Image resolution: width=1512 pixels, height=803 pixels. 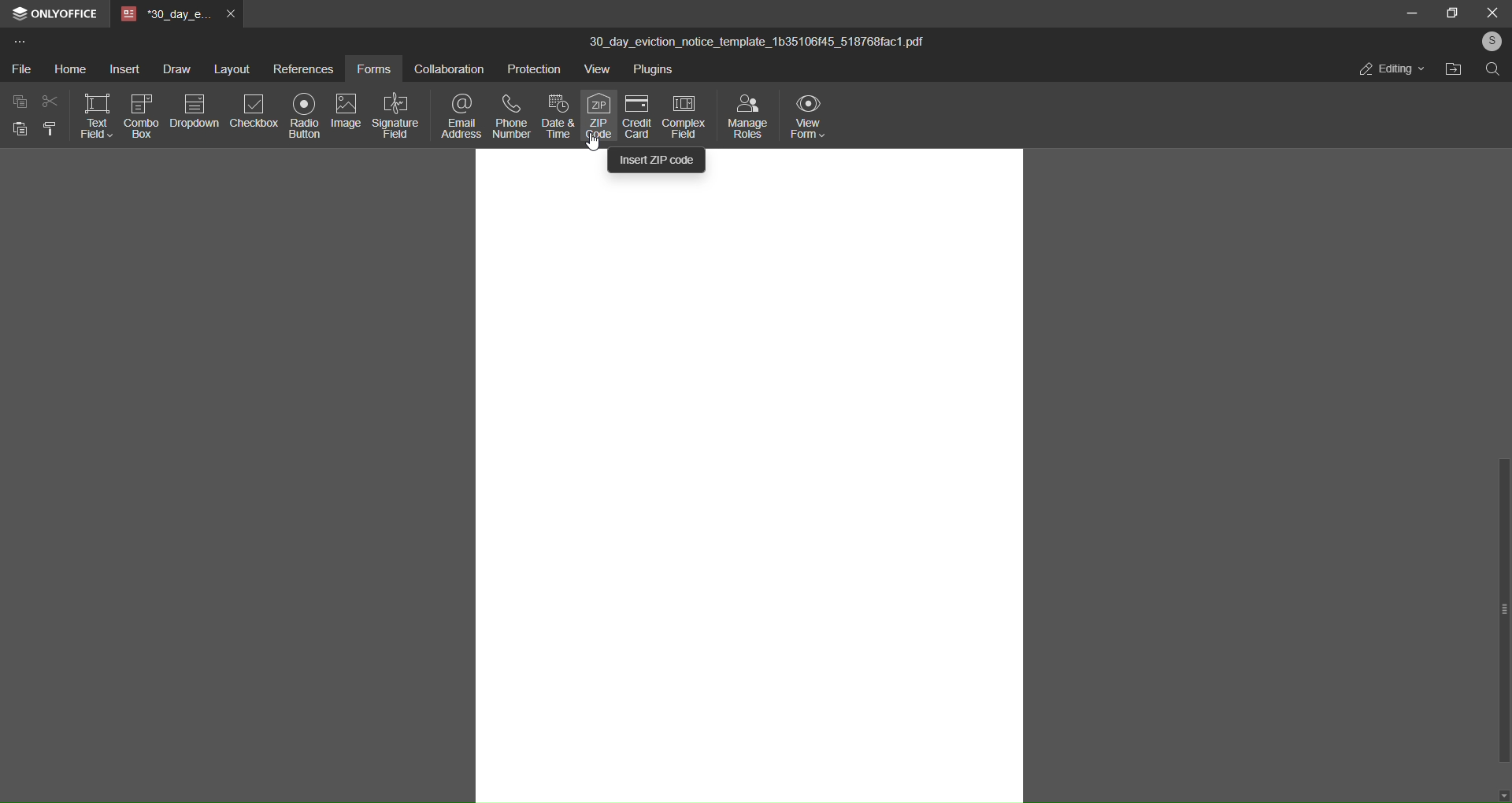 I want to click on signature, so click(x=394, y=115).